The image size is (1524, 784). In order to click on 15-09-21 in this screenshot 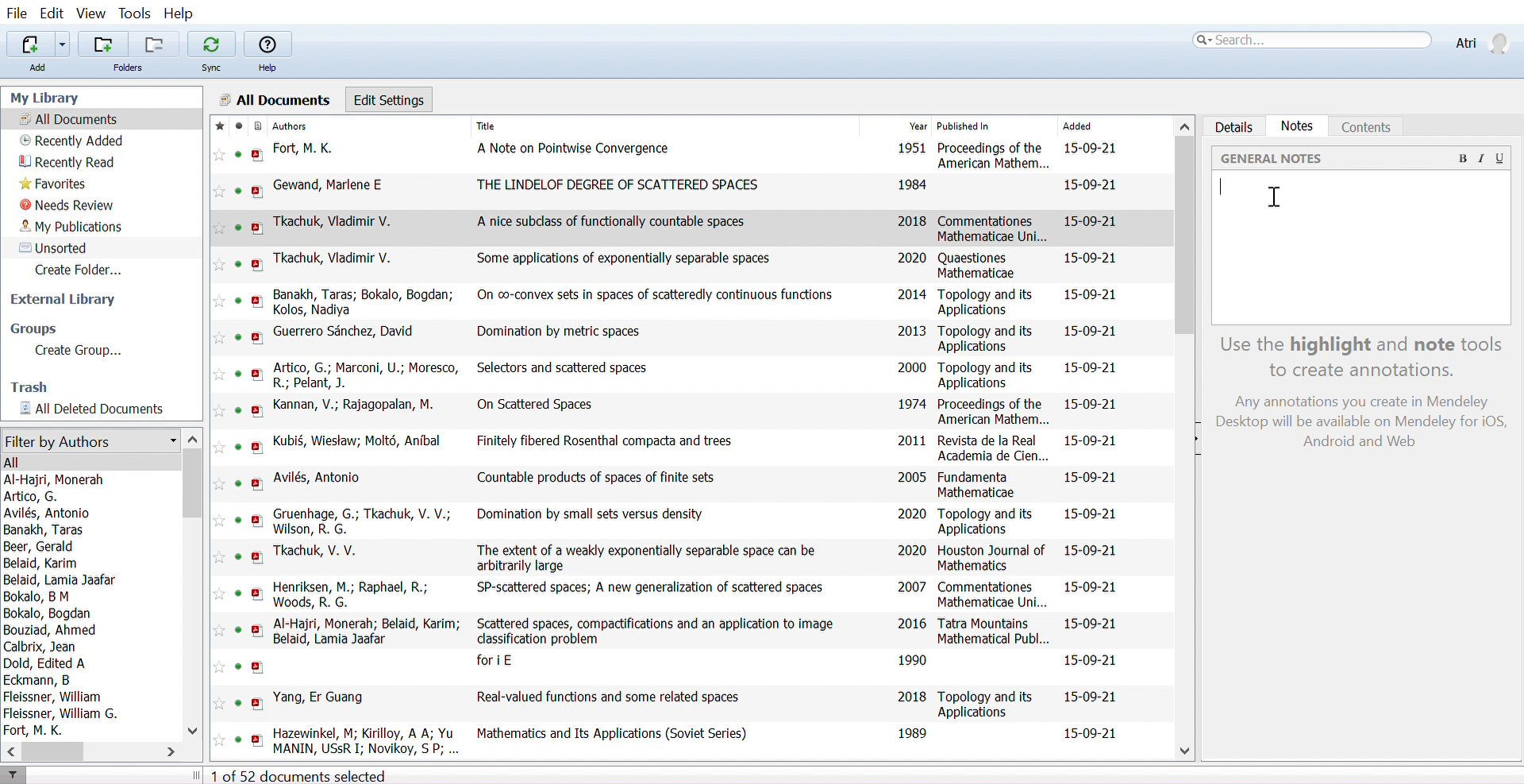, I will do `click(1095, 733)`.